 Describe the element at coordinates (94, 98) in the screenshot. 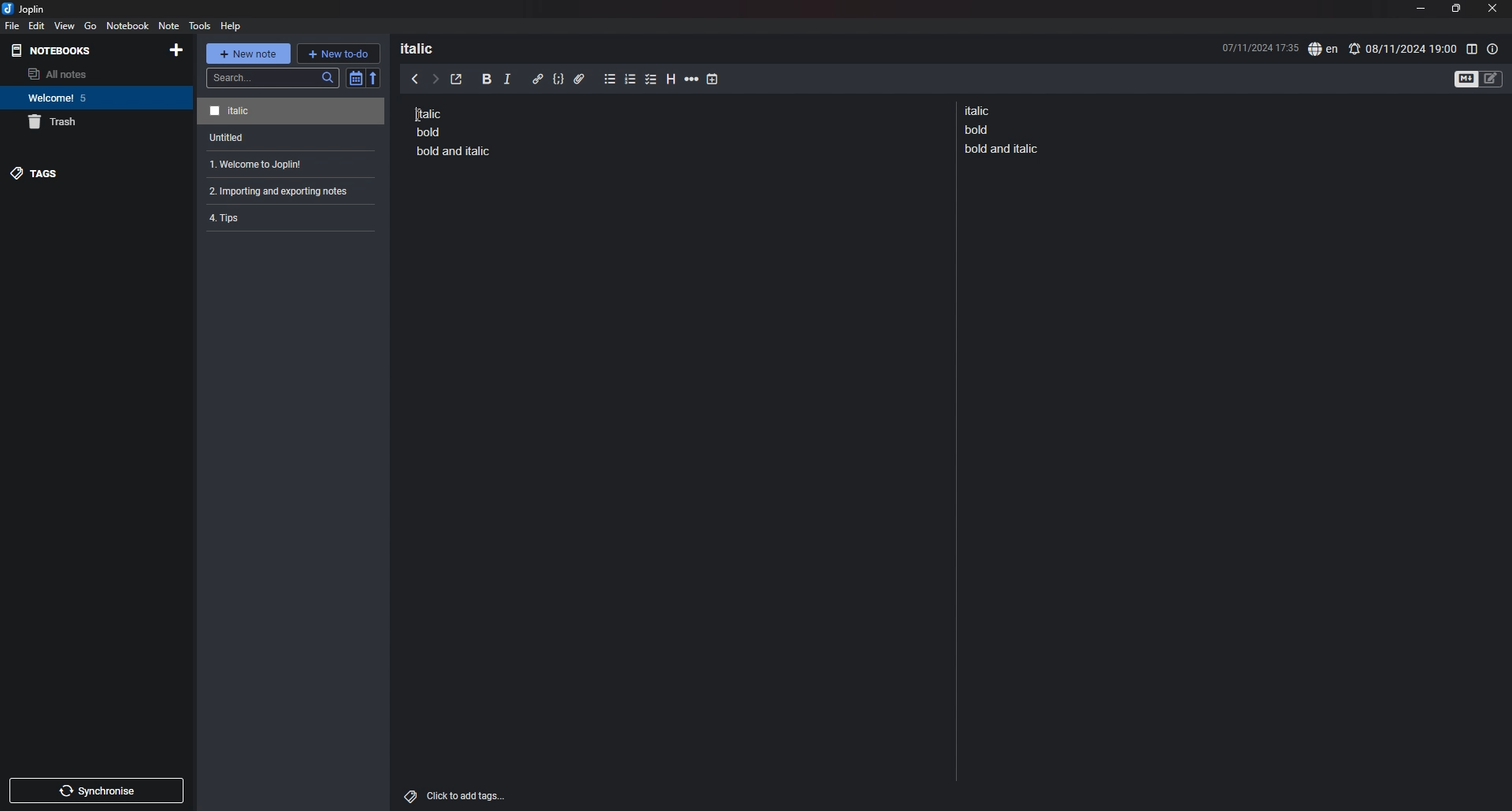

I see `notebook` at that location.